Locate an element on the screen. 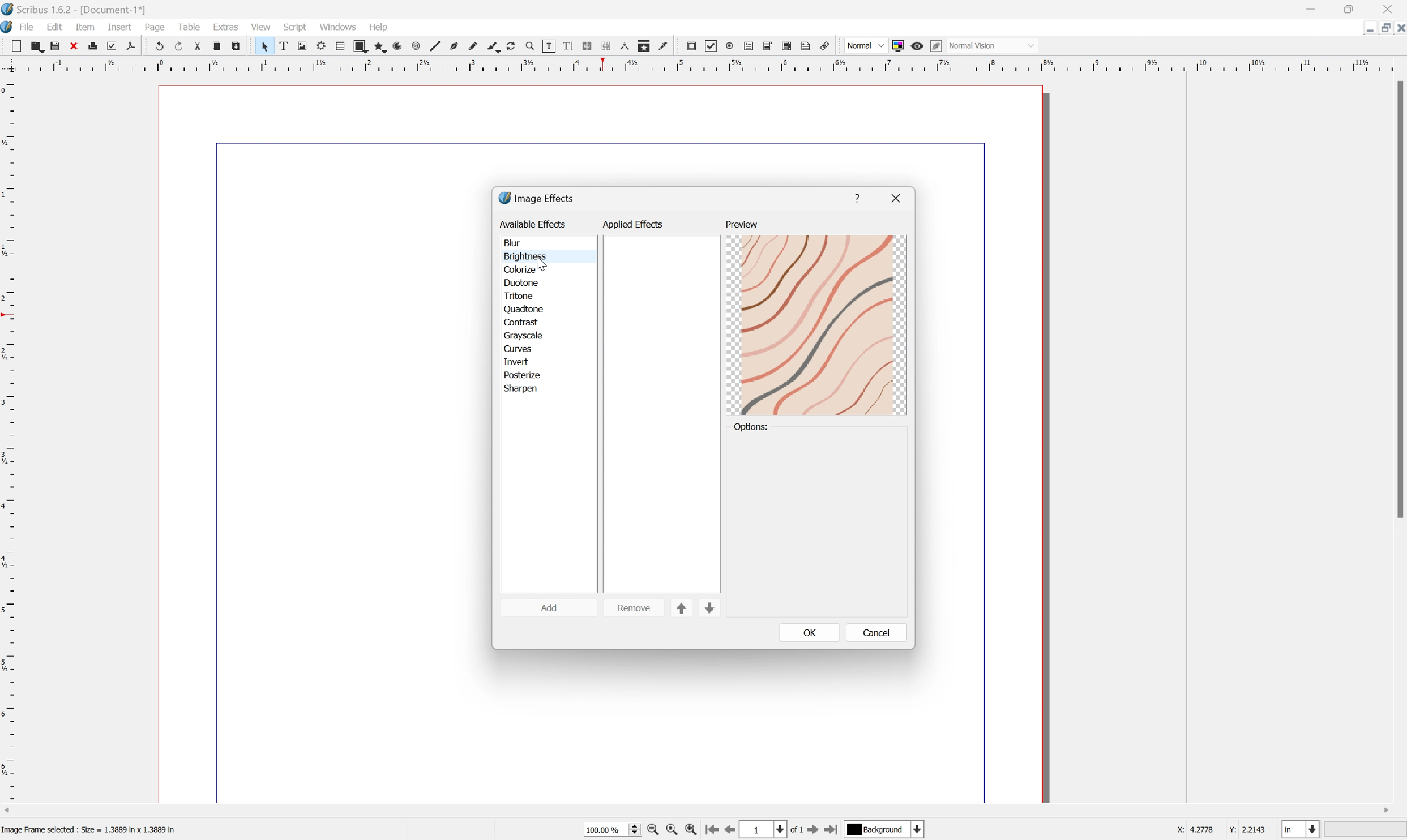 The height and width of the screenshot is (840, 1407). Measurements is located at coordinates (628, 46).